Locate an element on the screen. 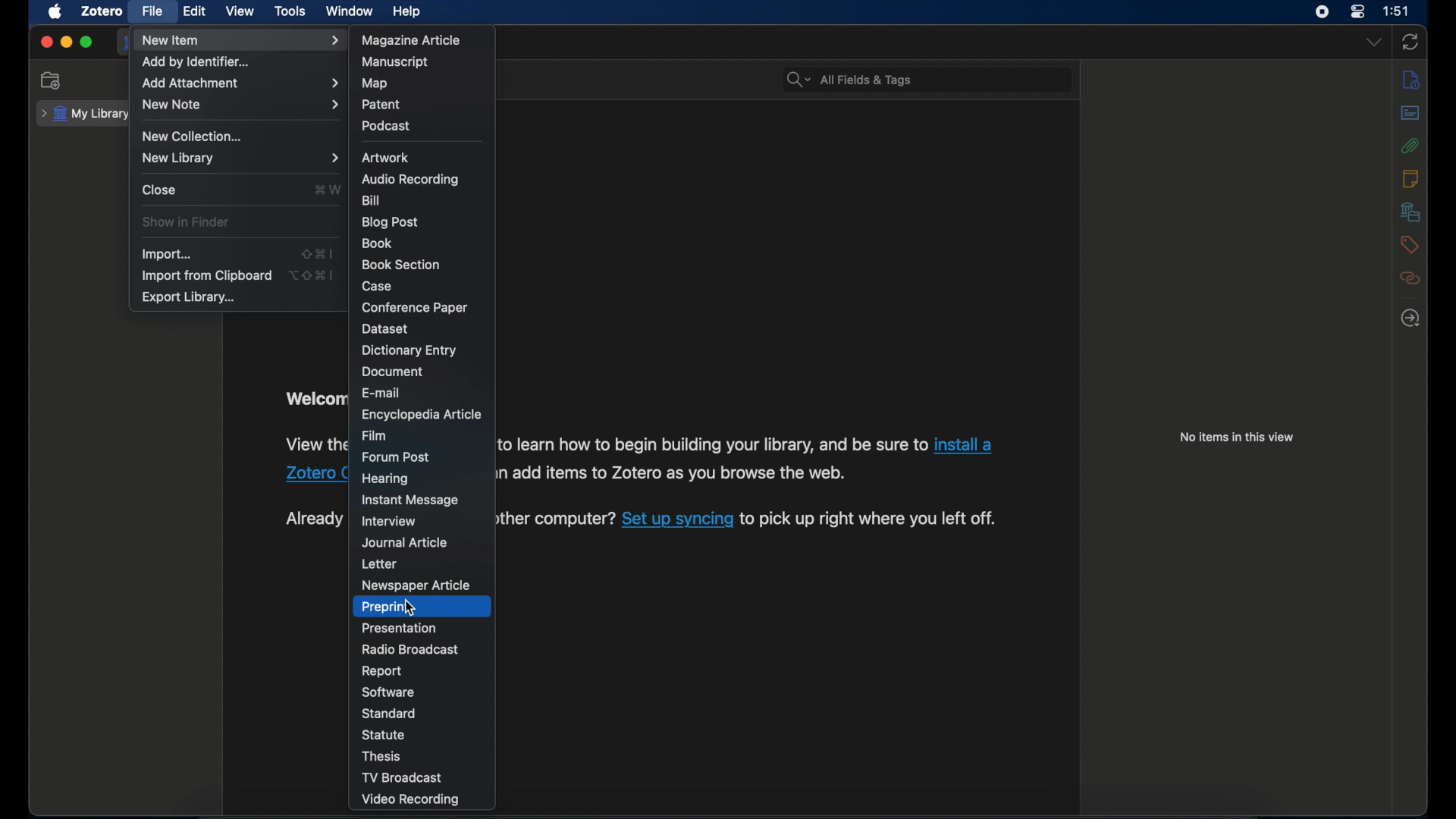 The width and height of the screenshot is (1456, 819). dataset is located at coordinates (385, 328).